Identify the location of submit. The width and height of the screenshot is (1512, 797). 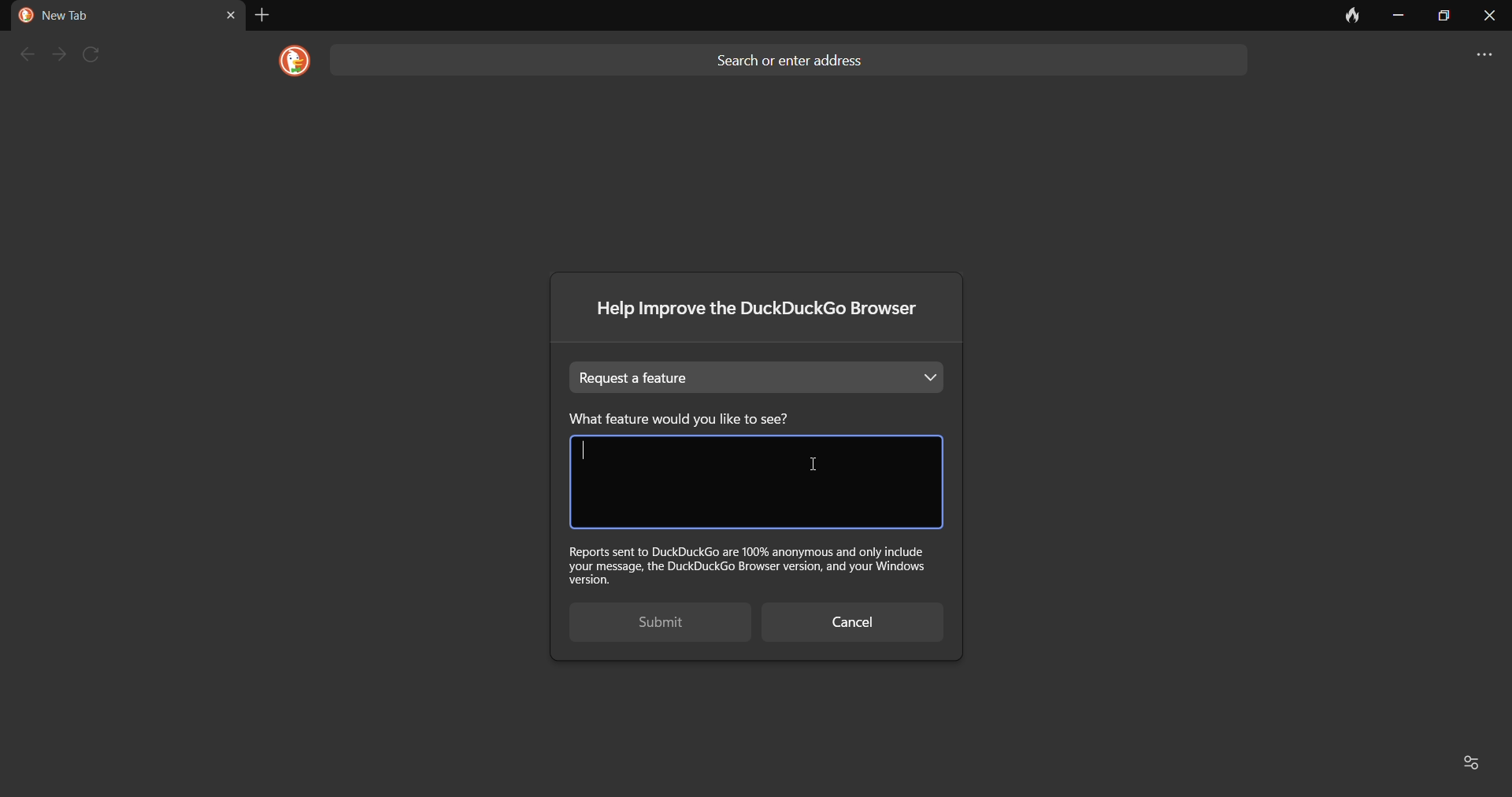
(648, 624).